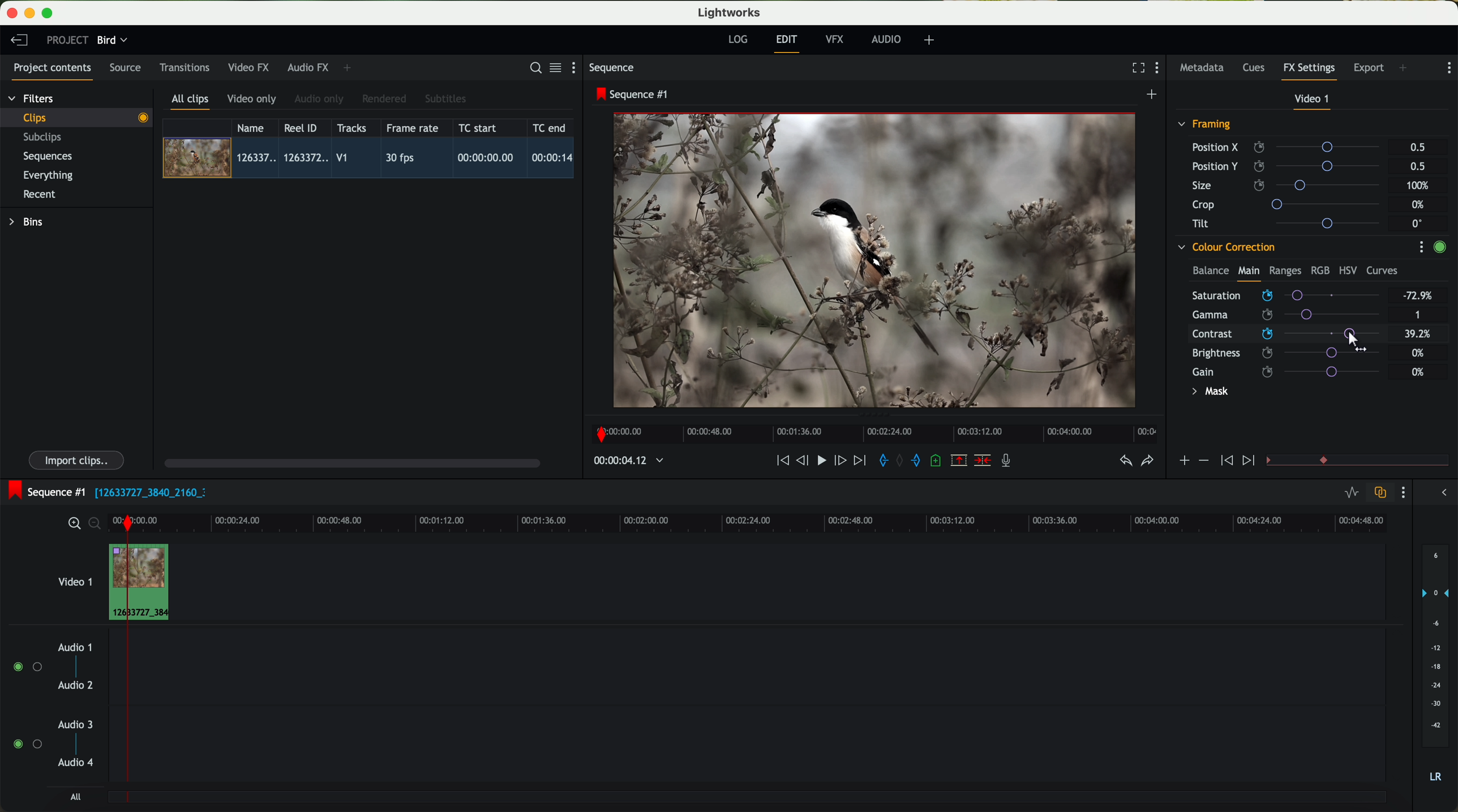  What do you see at coordinates (1160, 69) in the screenshot?
I see `show settings menu` at bounding box center [1160, 69].